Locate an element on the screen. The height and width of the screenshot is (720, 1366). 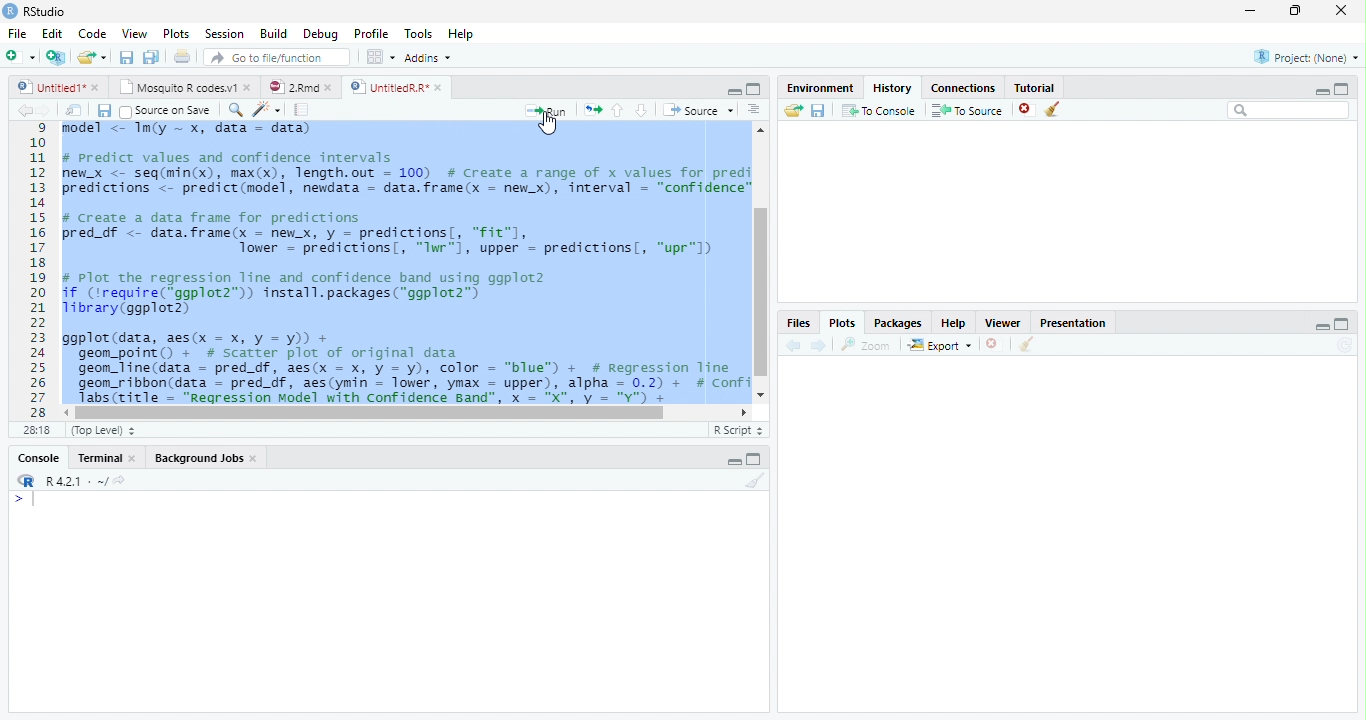
Help is located at coordinates (462, 35).